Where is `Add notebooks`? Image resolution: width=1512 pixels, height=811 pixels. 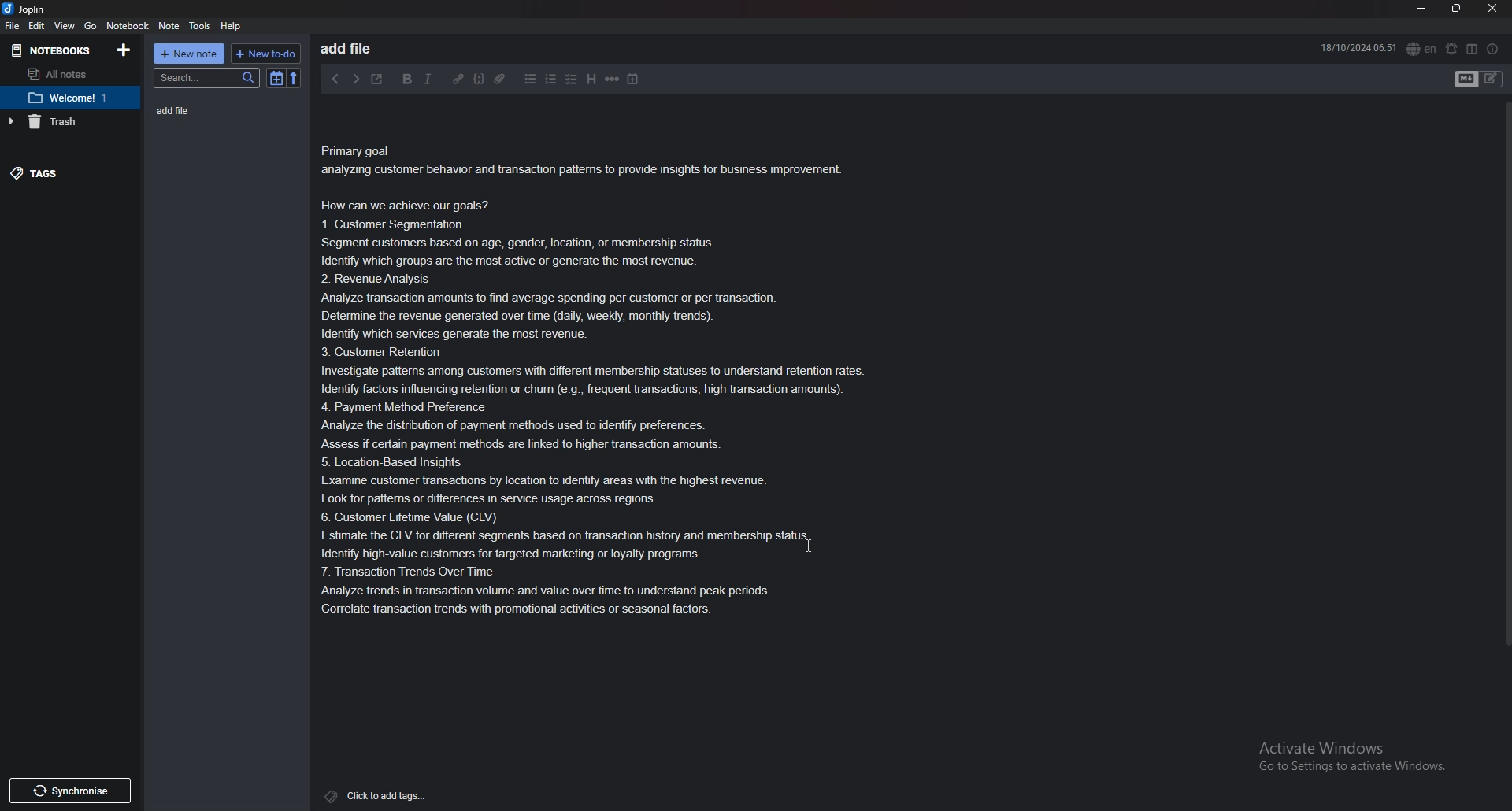 Add notebooks is located at coordinates (126, 50).